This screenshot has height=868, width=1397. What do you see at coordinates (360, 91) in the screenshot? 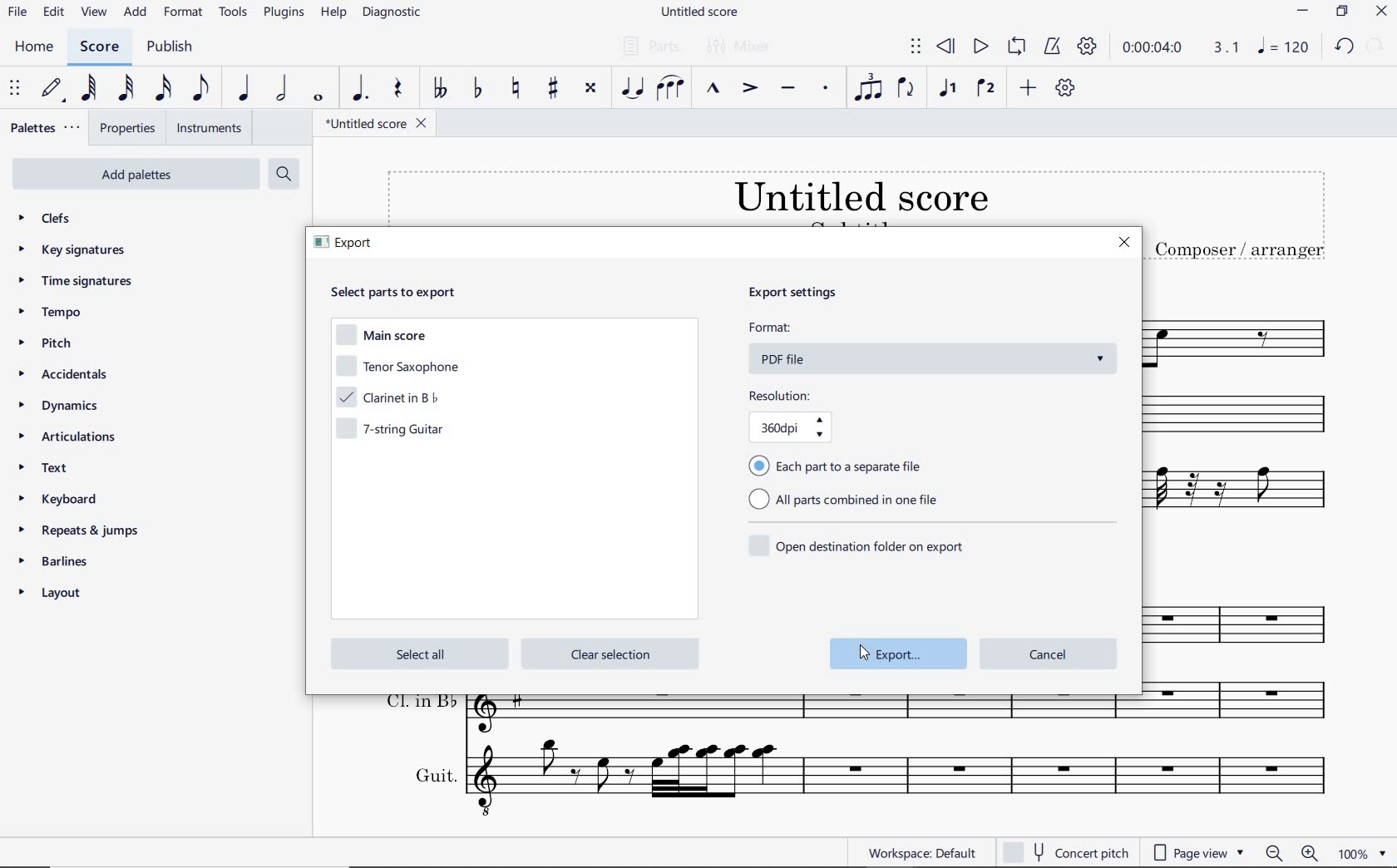
I see `AUGMENTATION DOT` at bounding box center [360, 91].